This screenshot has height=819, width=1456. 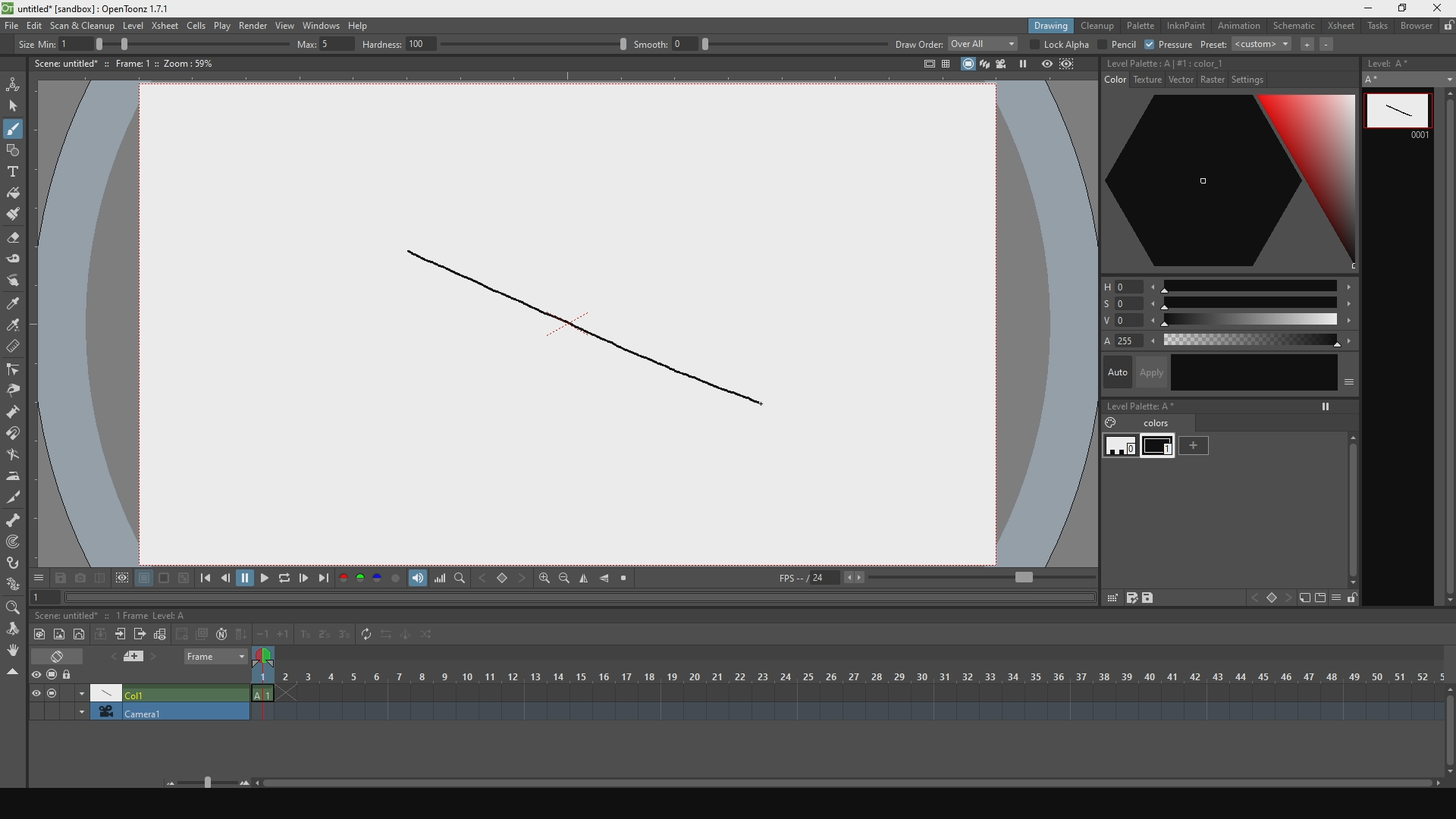 What do you see at coordinates (211, 659) in the screenshot?
I see `frame` at bounding box center [211, 659].